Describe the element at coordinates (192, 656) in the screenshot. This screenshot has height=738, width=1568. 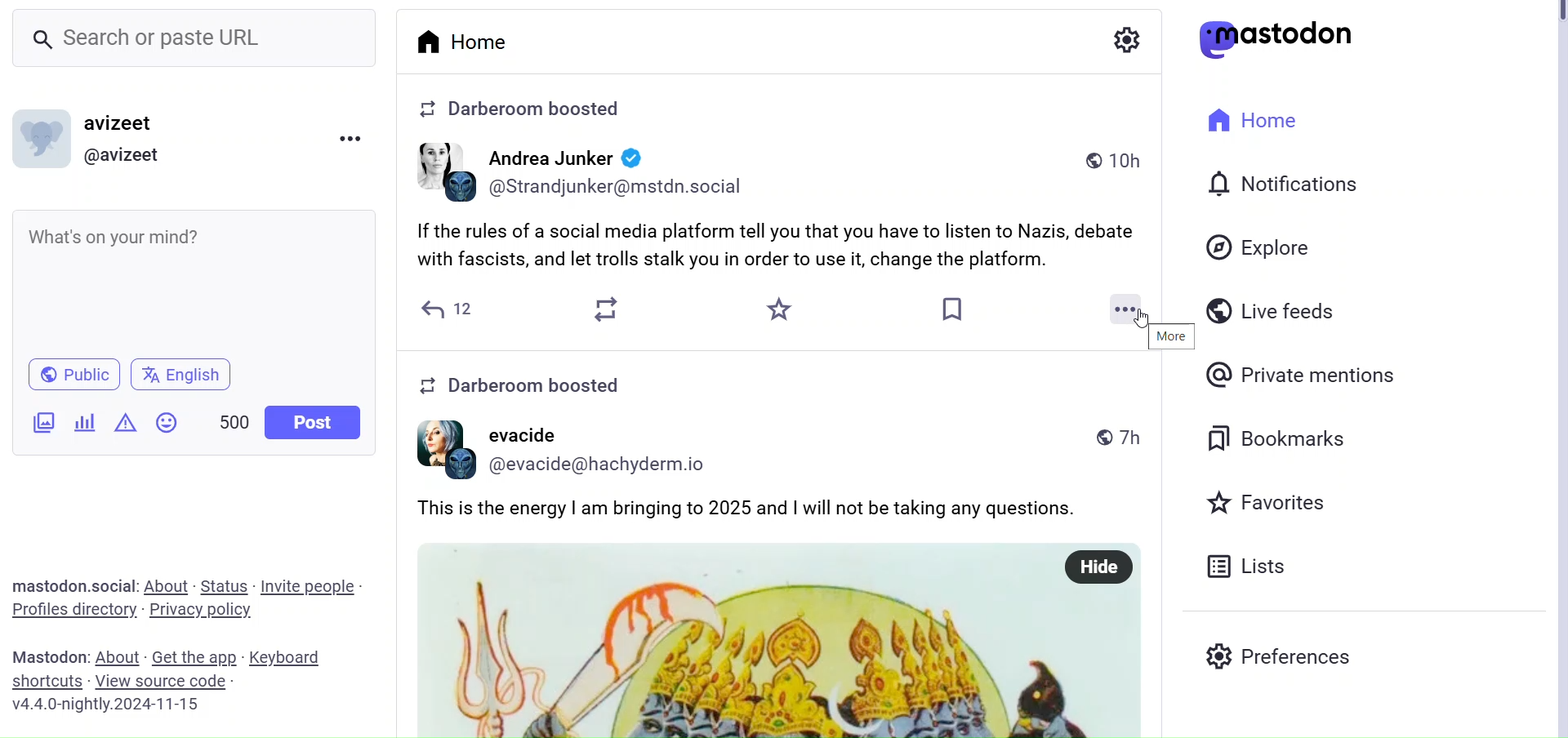
I see `Get the app` at that location.